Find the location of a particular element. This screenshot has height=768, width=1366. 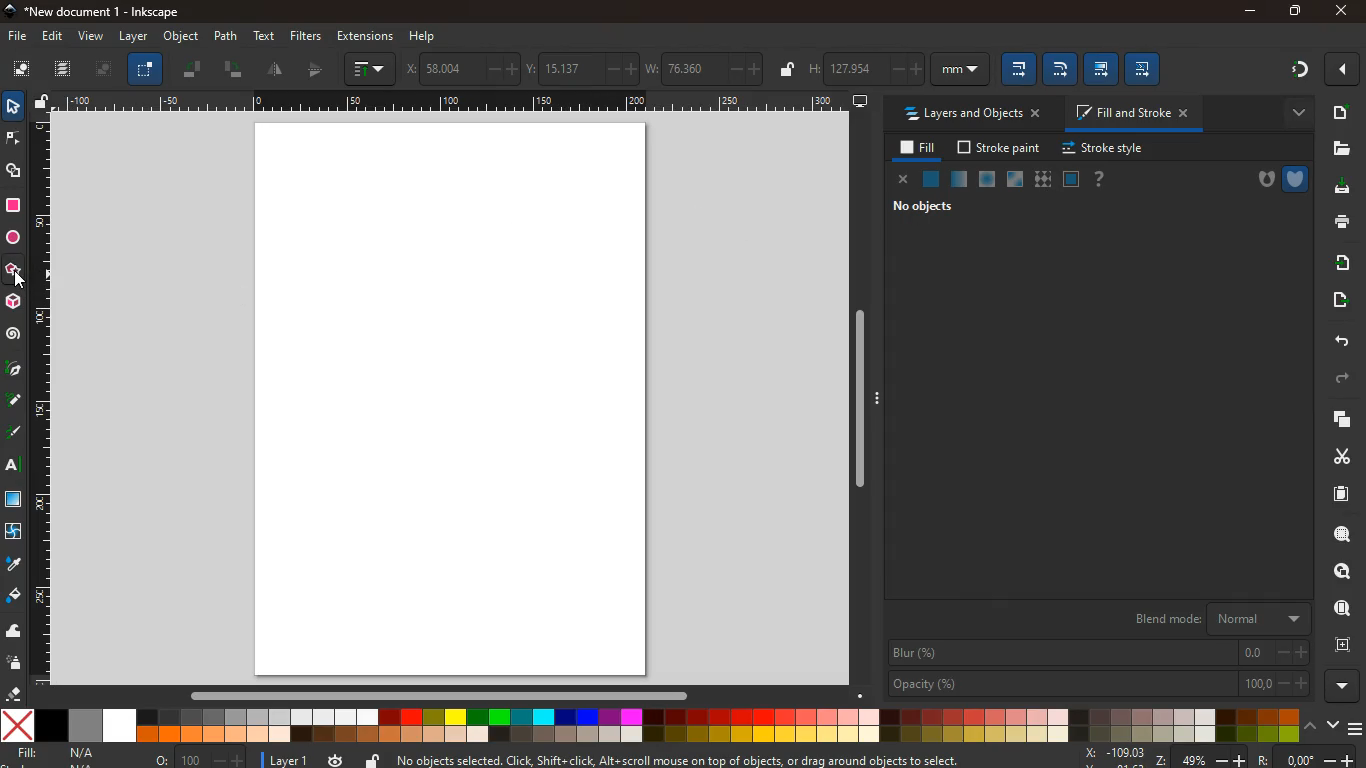

view is located at coordinates (93, 36).